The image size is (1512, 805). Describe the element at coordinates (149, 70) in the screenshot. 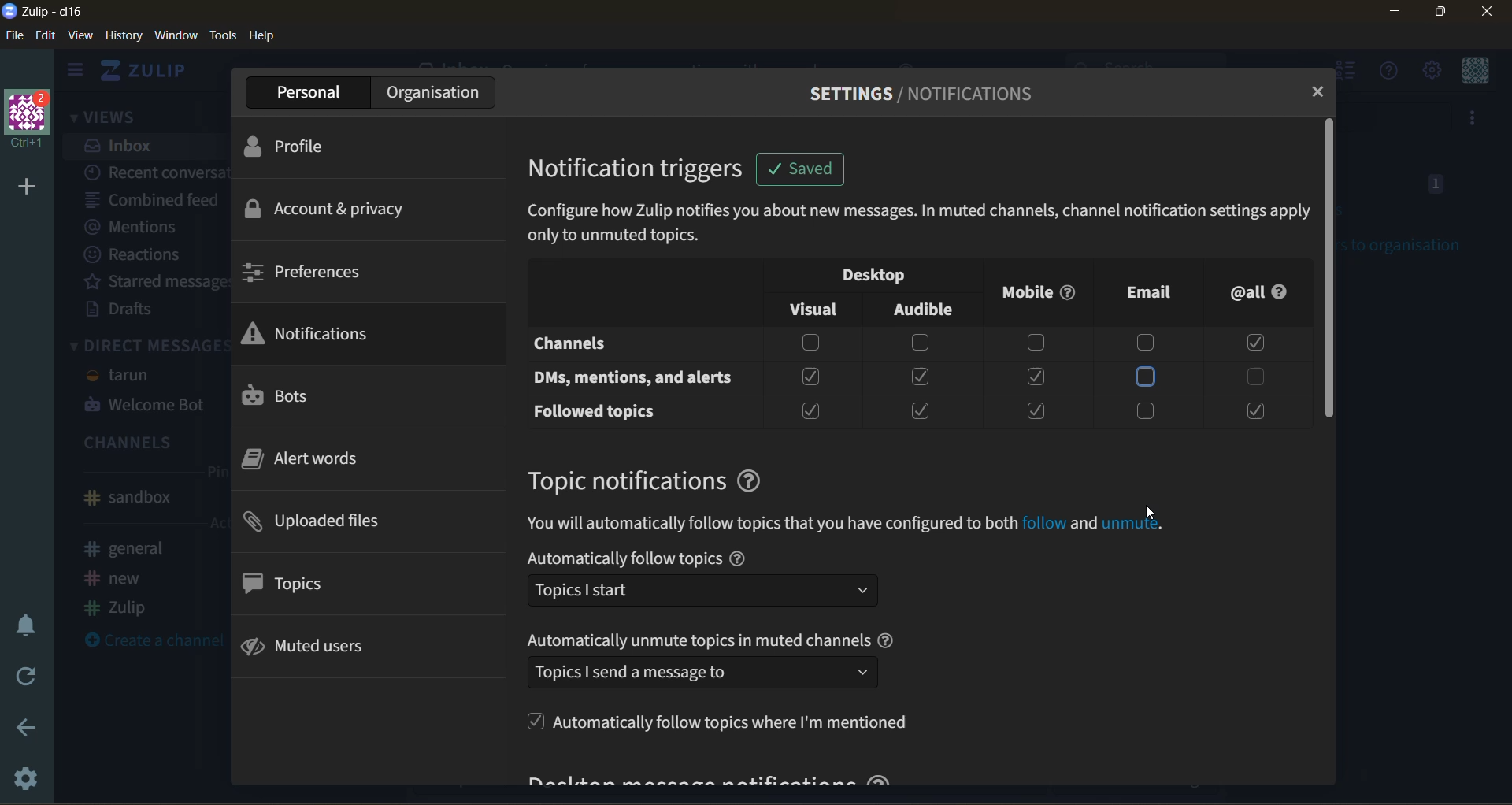

I see `home view` at that location.